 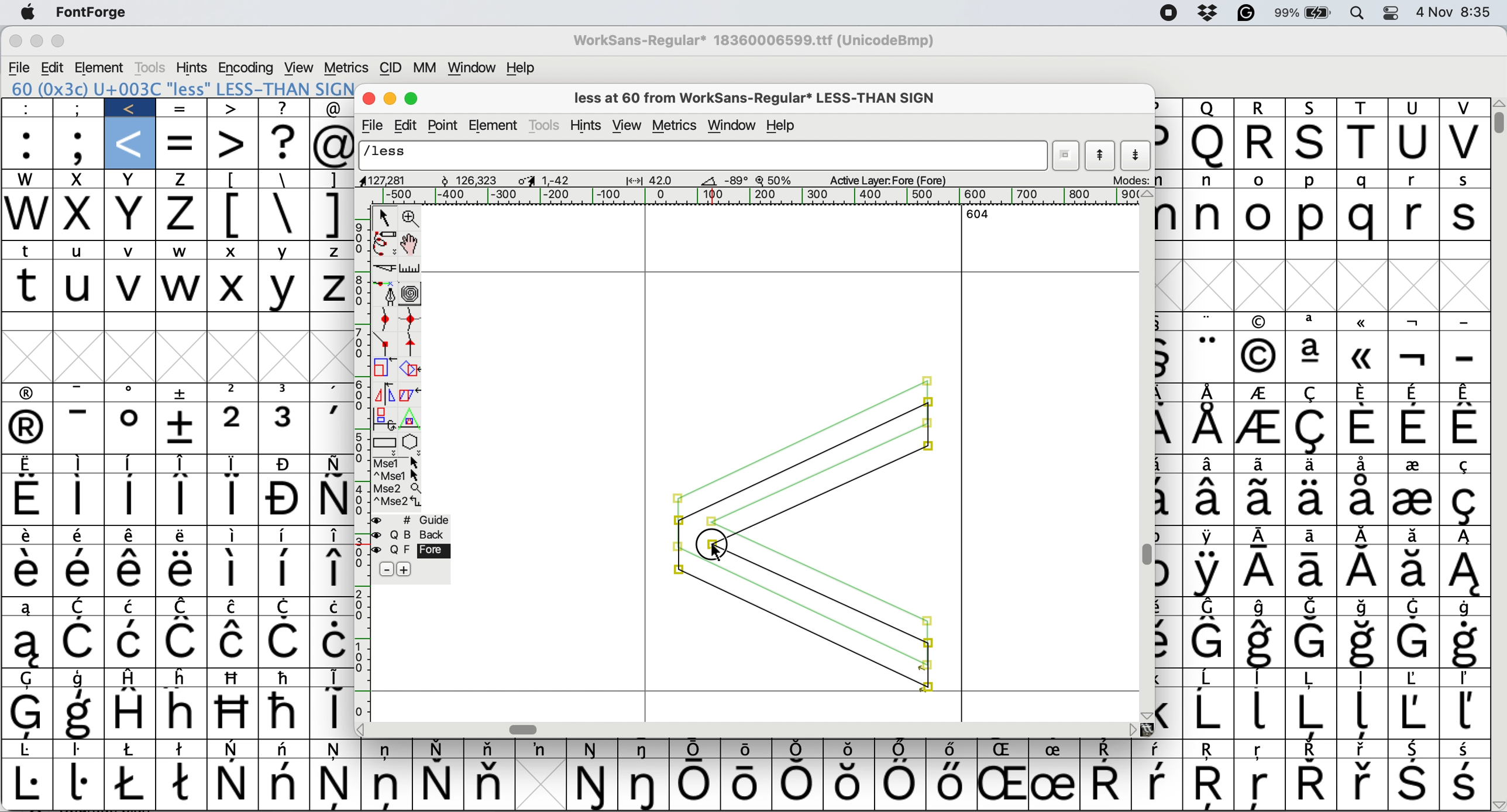 I want to click on Symbol, so click(x=1305, y=751).